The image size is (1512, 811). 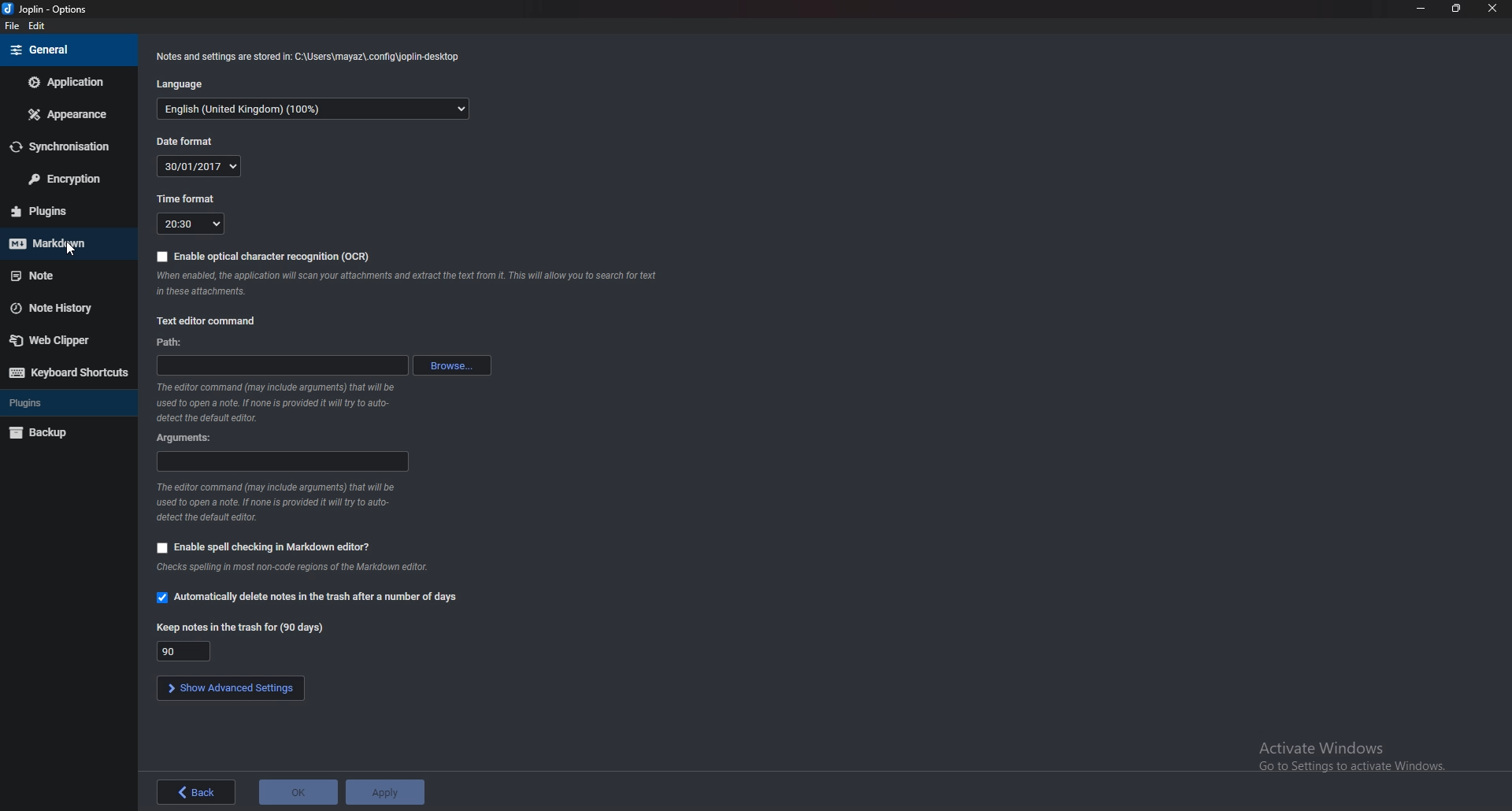 What do you see at coordinates (190, 198) in the screenshot?
I see `Time format` at bounding box center [190, 198].